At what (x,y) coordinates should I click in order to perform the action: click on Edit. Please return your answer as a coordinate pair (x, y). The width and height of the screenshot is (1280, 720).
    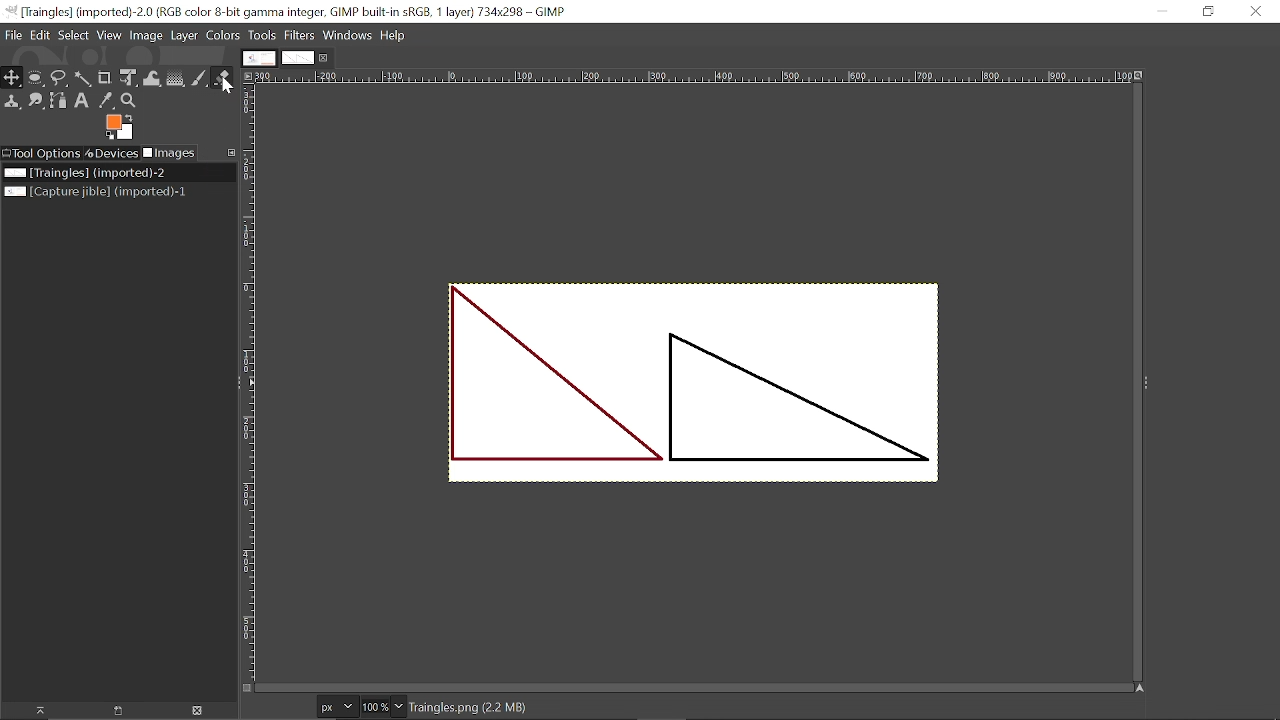
    Looking at the image, I should click on (40, 34).